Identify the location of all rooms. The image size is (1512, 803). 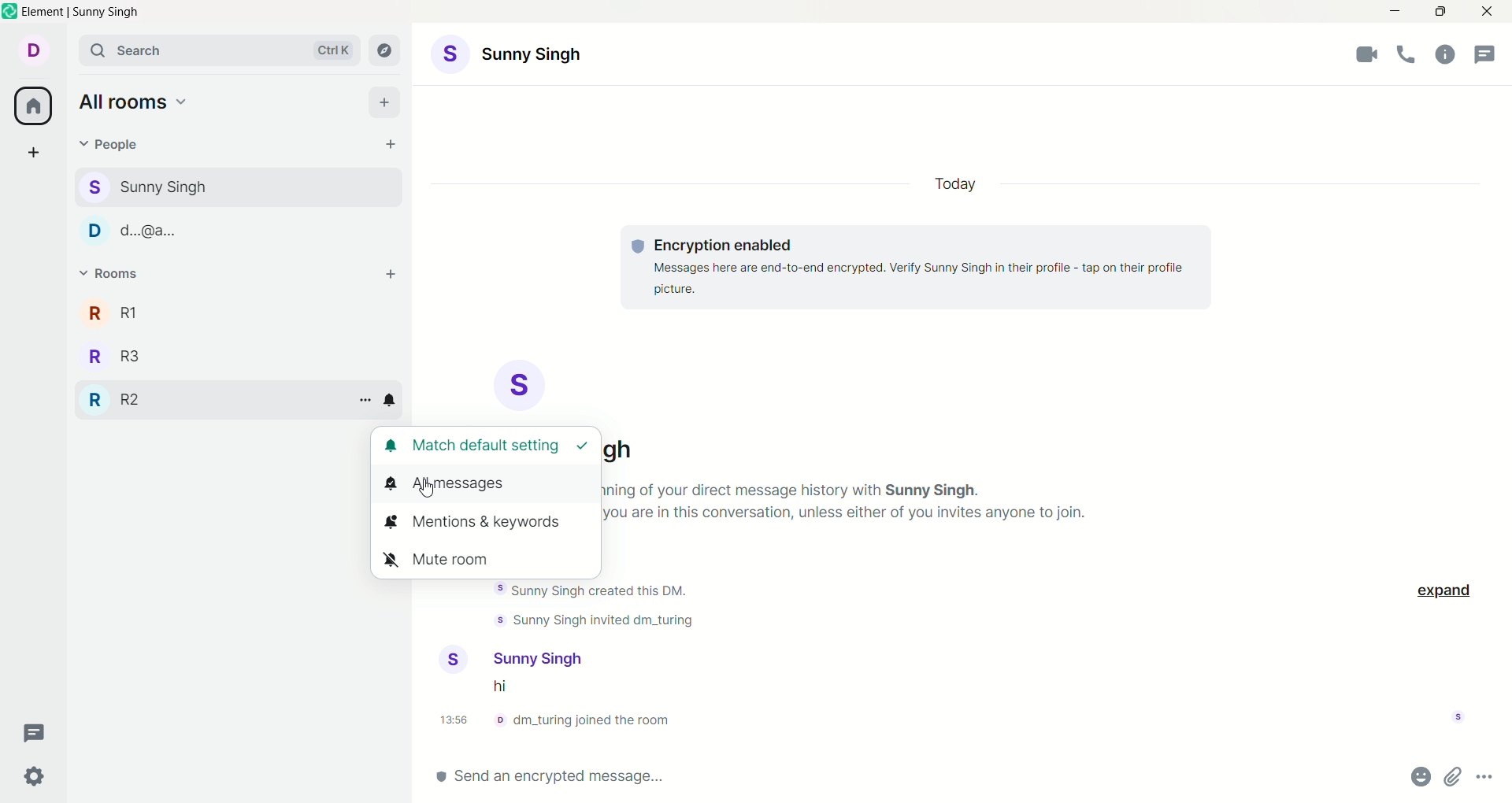
(135, 100).